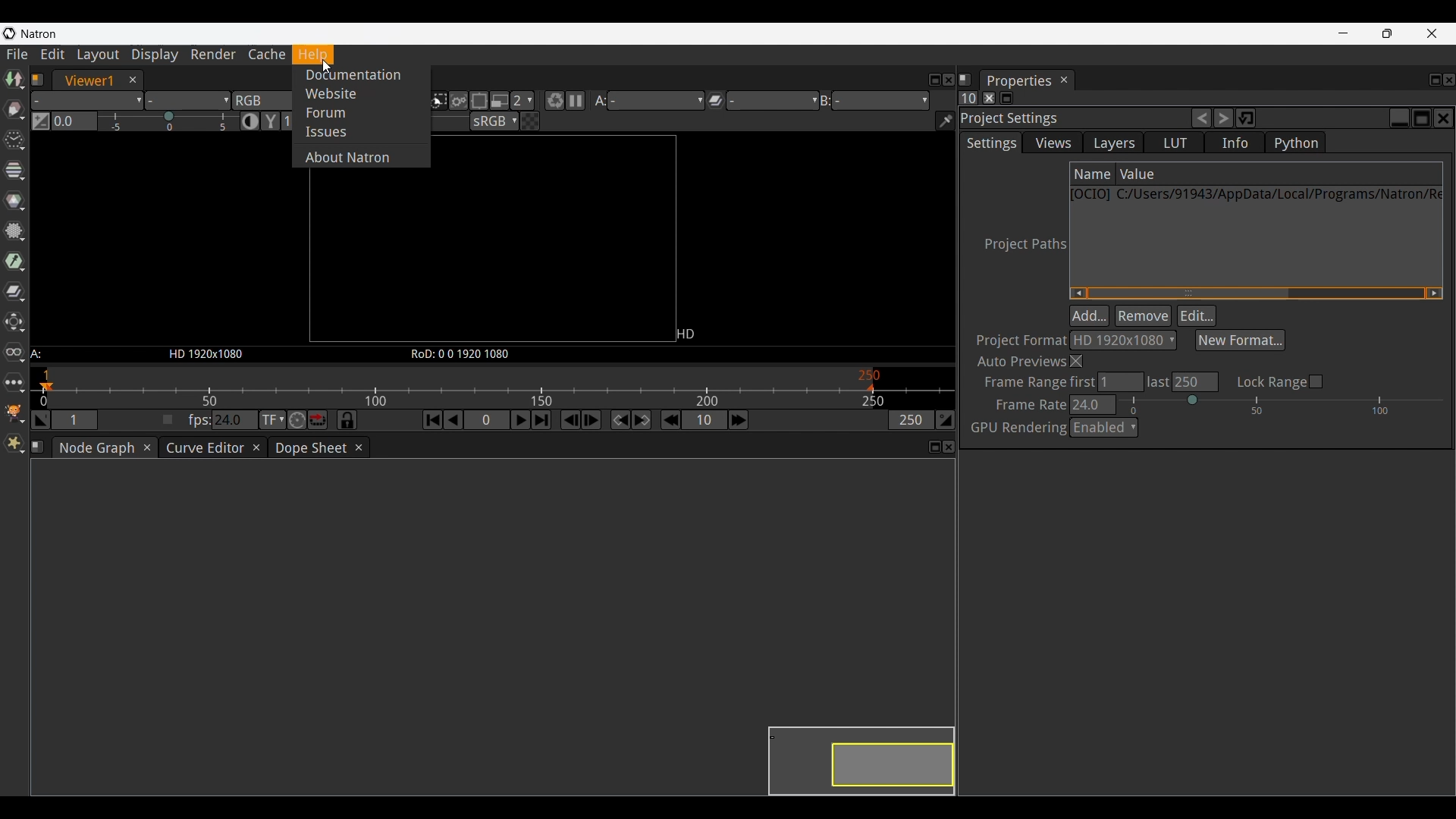  What do you see at coordinates (1241, 340) in the screenshot?
I see `Select new format` at bounding box center [1241, 340].